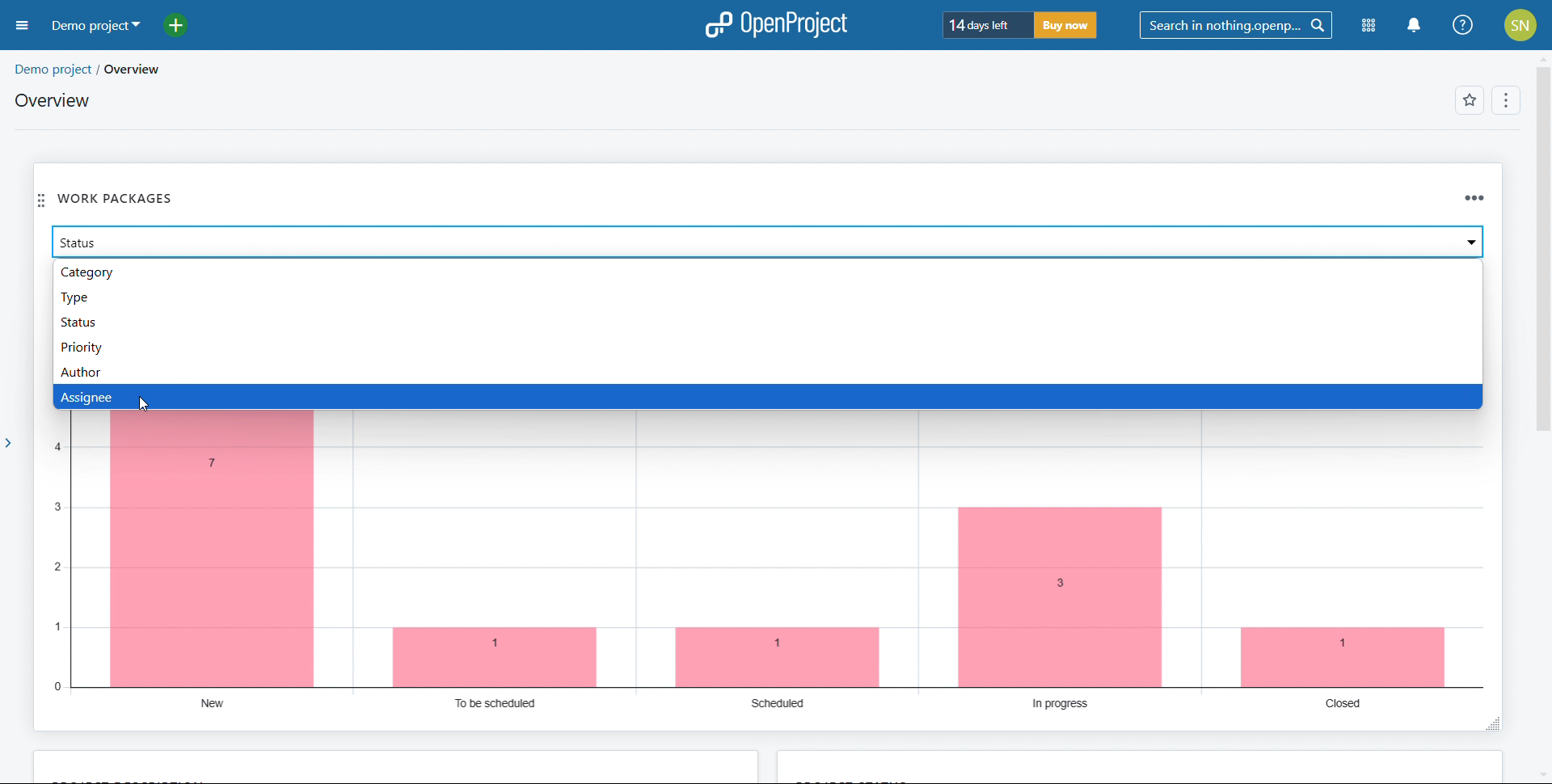 Image resolution: width=1552 pixels, height=784 pixels. Describe the element at coordinates (1506, 100) in the screenshot. I see `options` at that location.